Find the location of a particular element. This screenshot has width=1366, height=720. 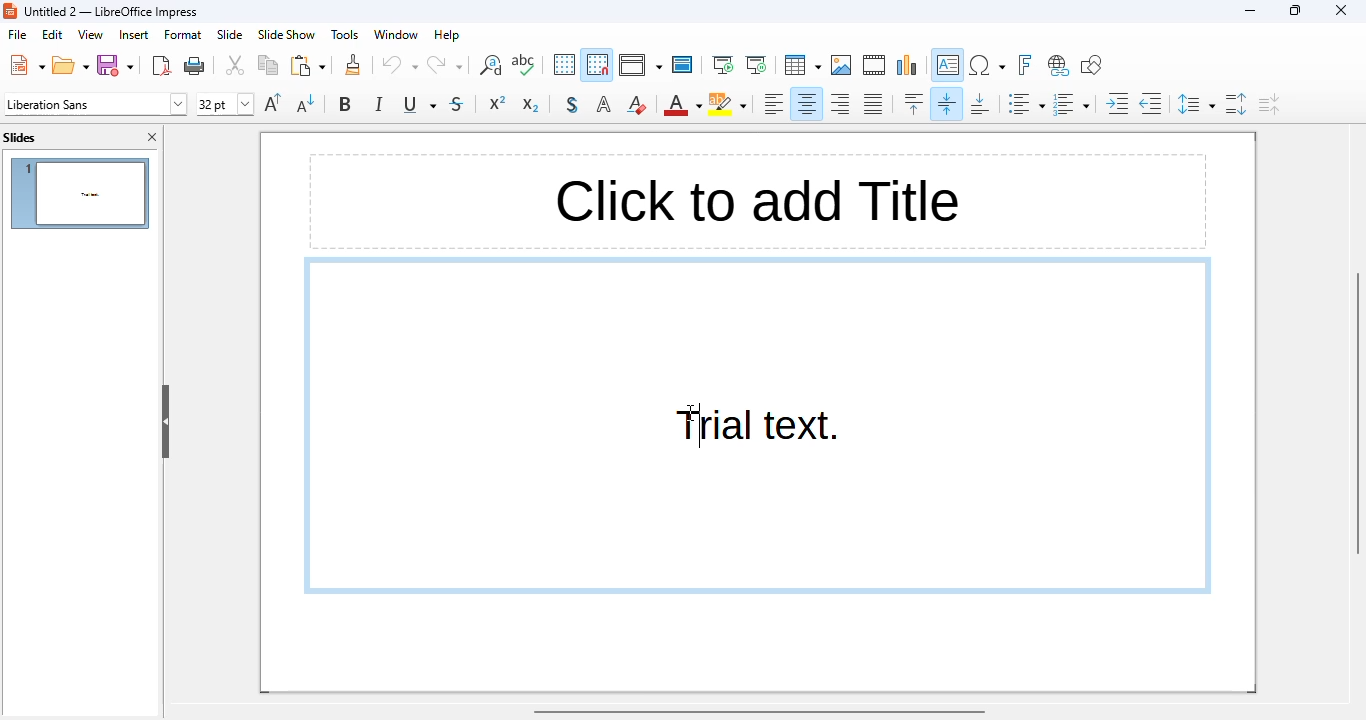

show draw functions is located at coordinates (1092, 65).